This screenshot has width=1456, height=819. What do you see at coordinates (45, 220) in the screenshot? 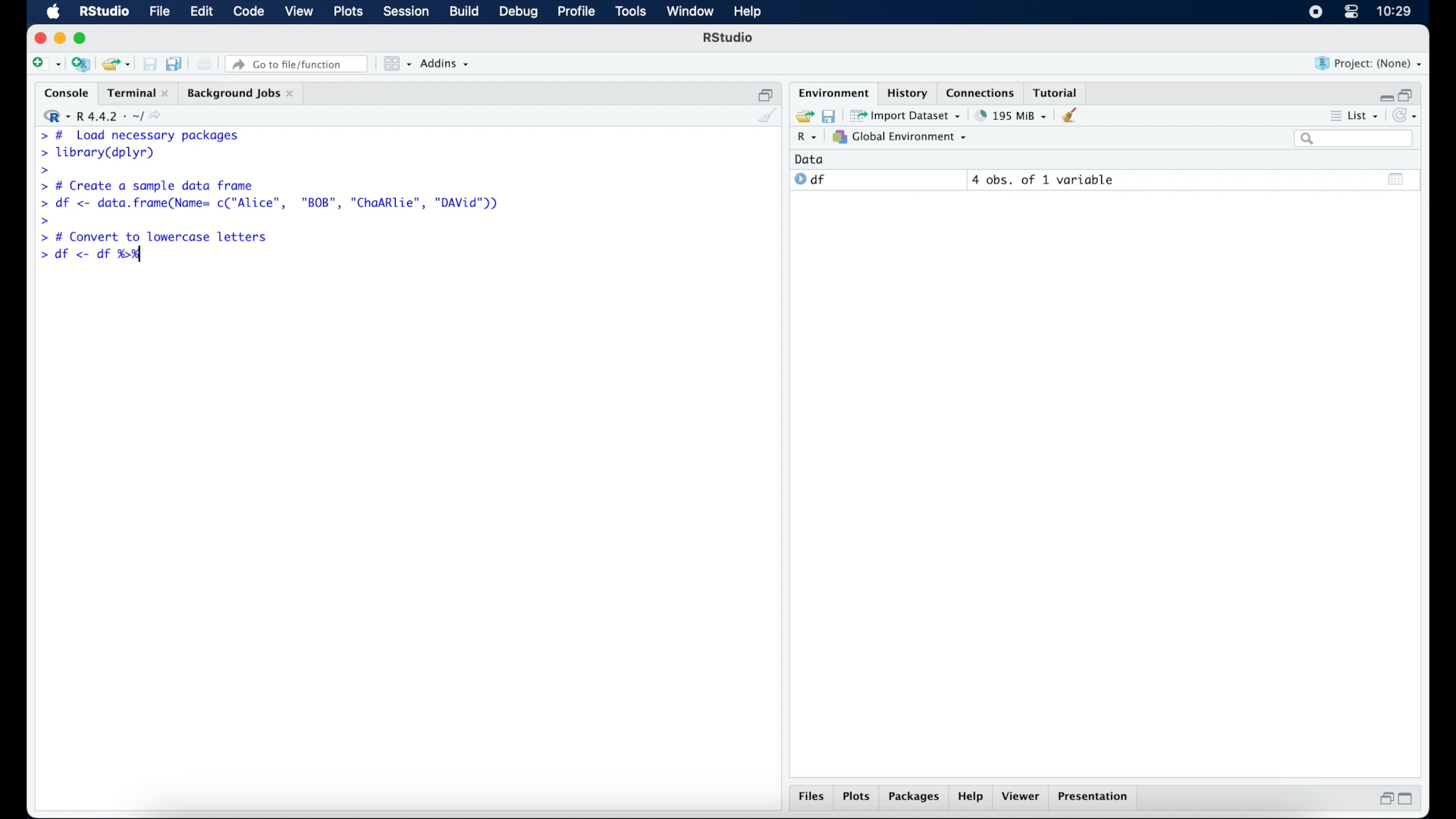
I see `command prompt` at bounding box center [45, 220].